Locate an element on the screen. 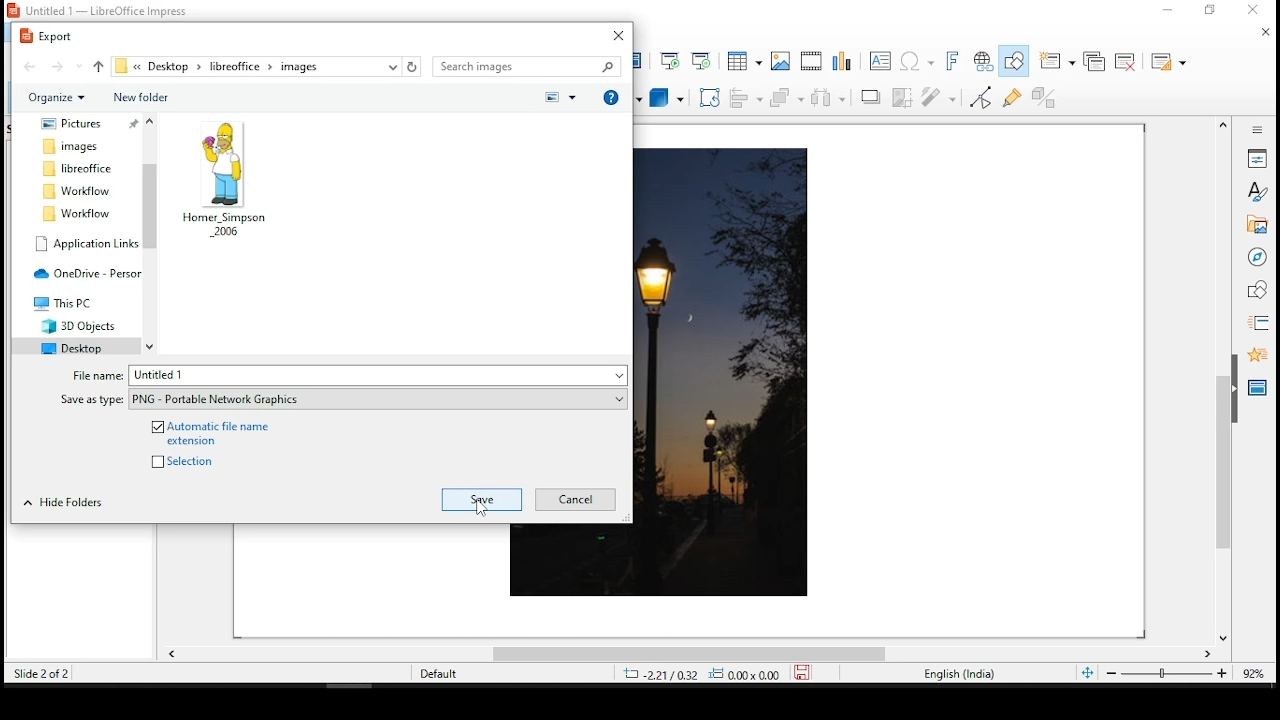  text box is located at coordinates (879, 62).